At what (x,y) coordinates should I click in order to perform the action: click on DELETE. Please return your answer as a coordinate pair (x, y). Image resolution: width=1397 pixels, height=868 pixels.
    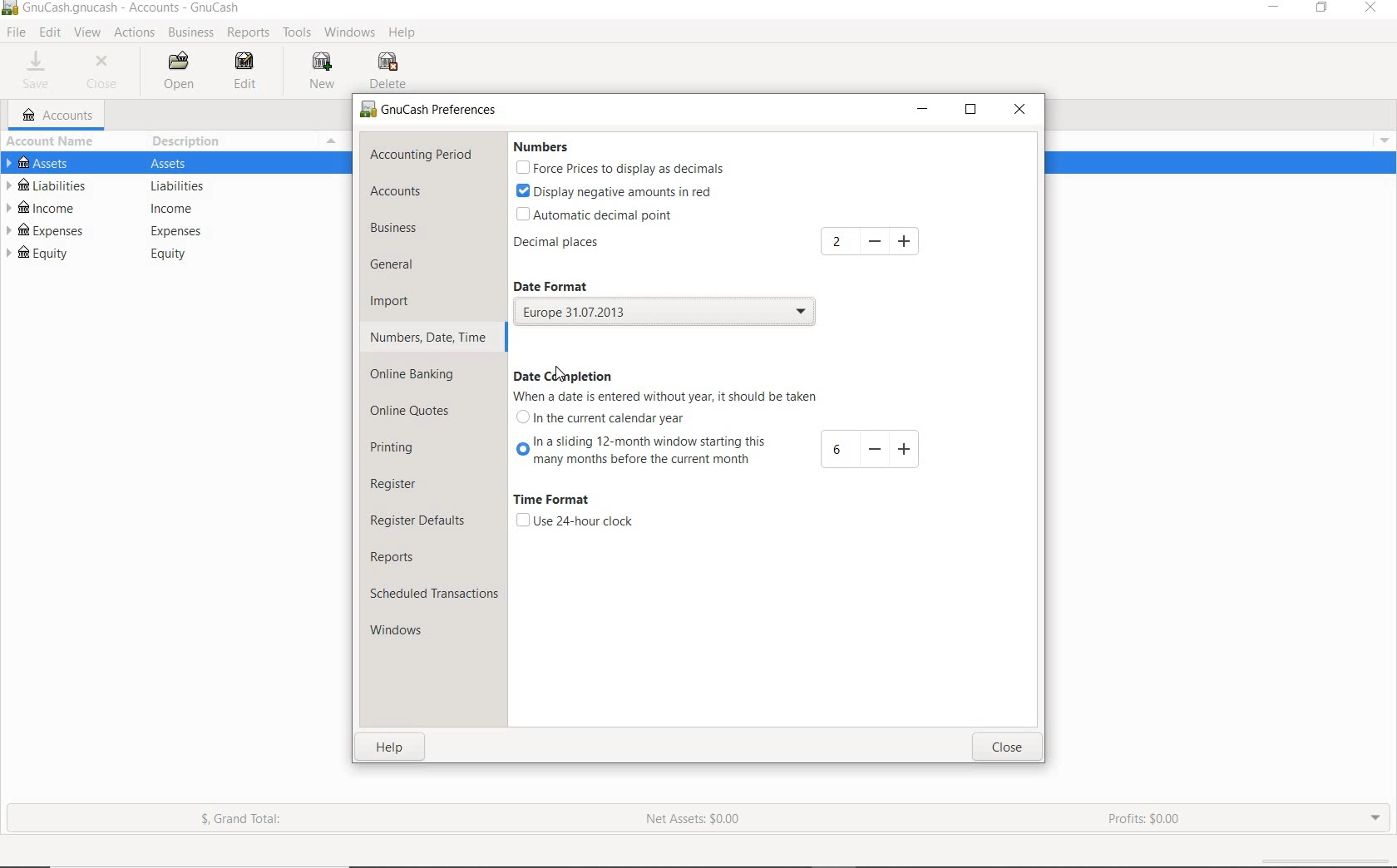
    Looking at the image, I should click on (391, 72).